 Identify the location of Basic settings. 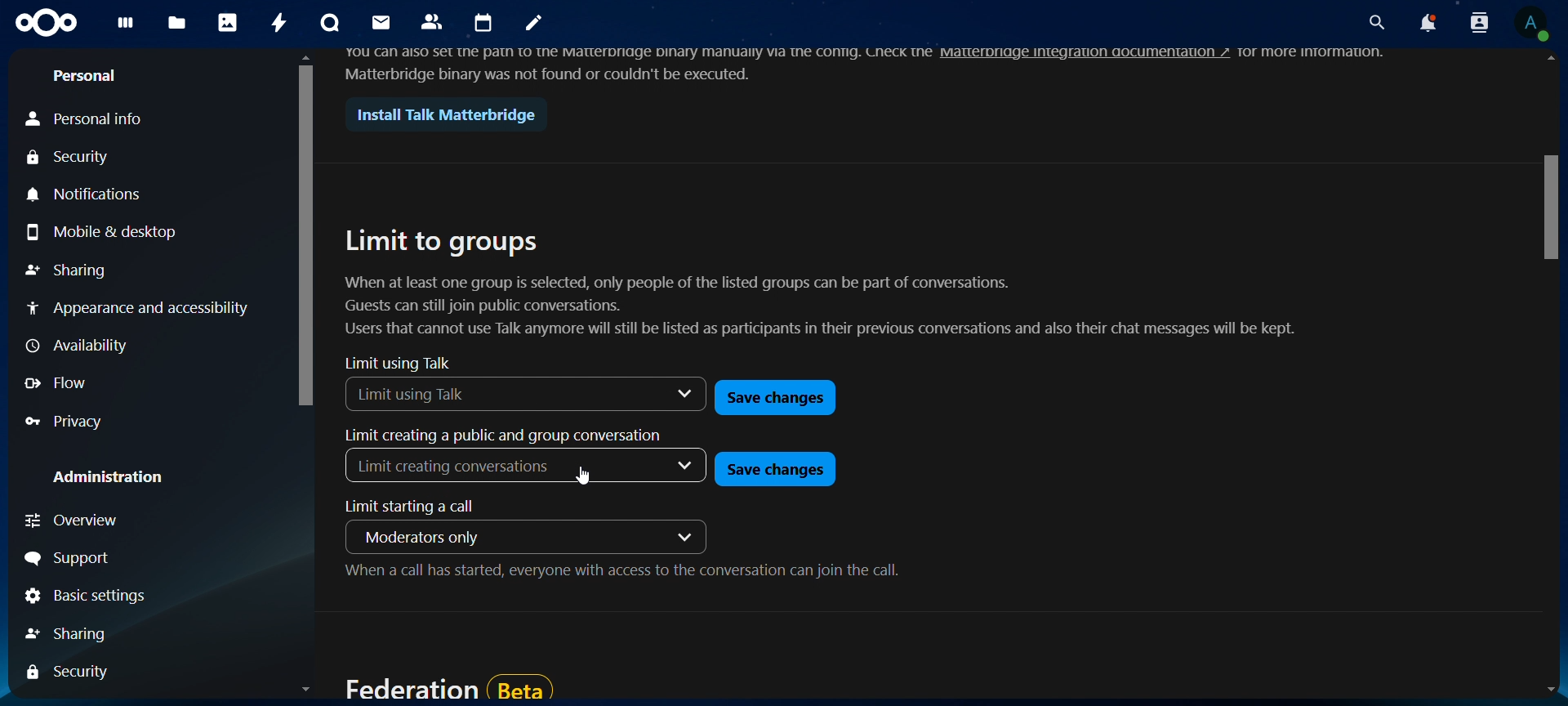
(87, 597).